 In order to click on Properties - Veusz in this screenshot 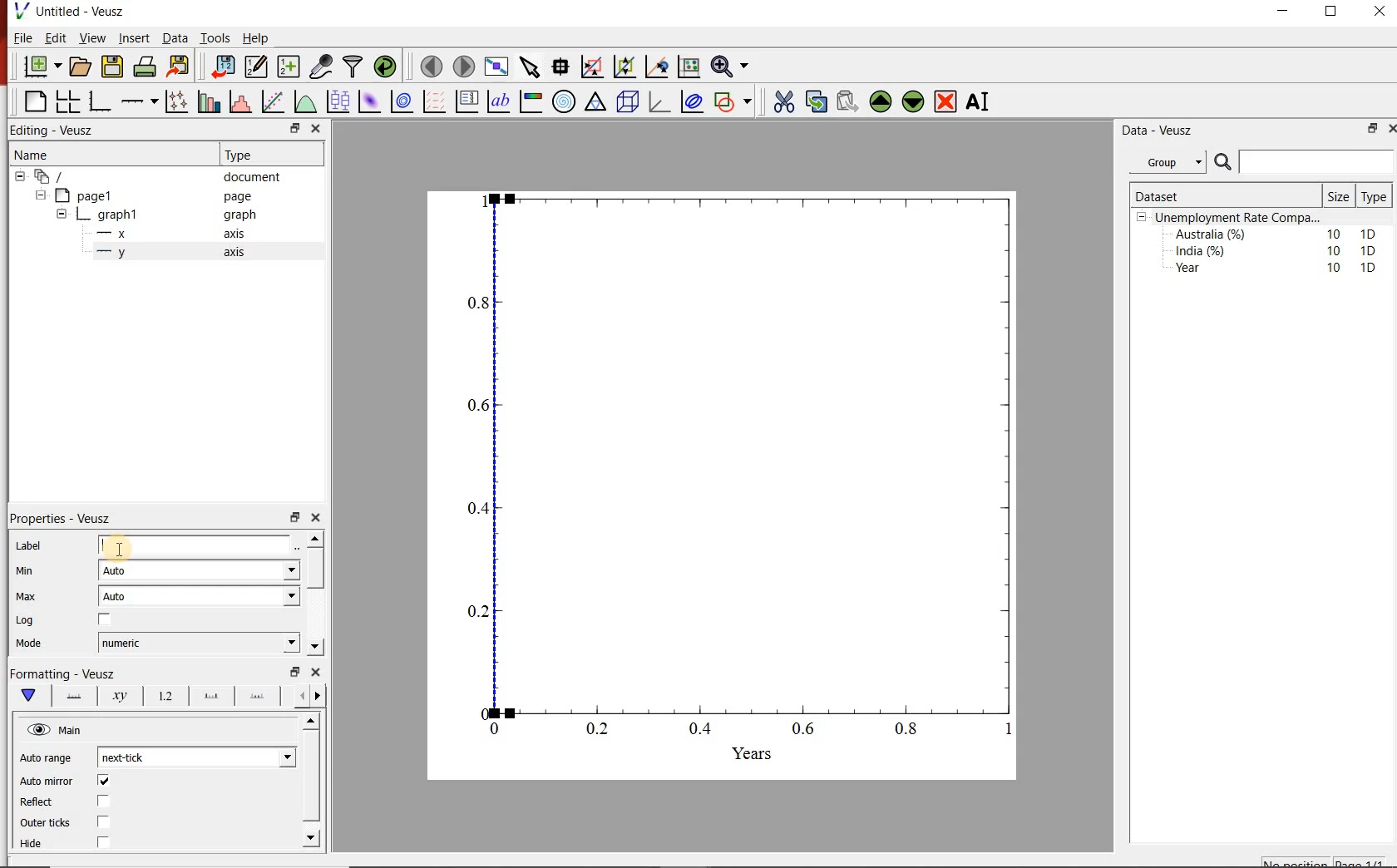, I will do `click(63, 520)`.